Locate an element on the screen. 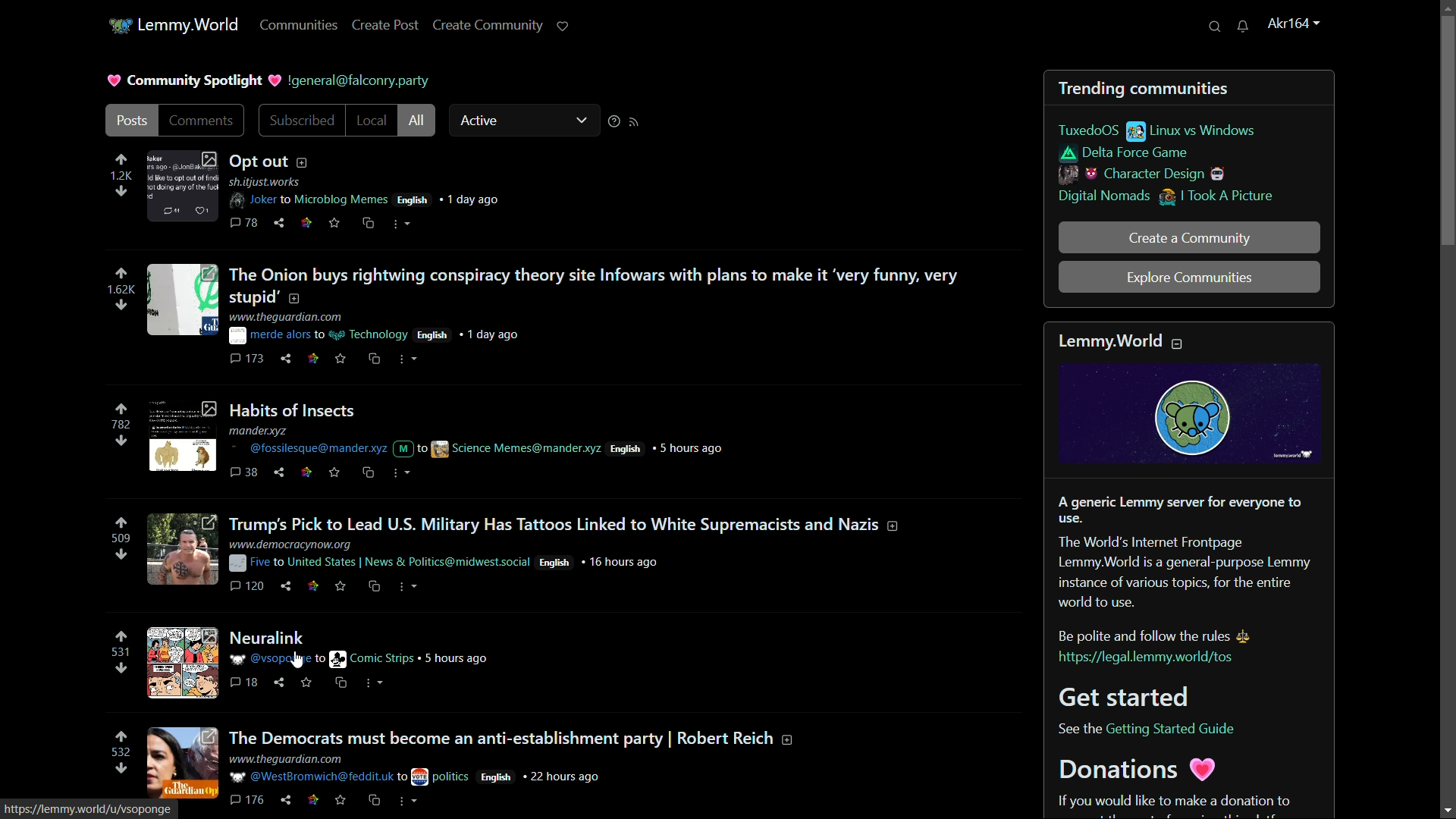  comments is located at coordinates (245, 472).